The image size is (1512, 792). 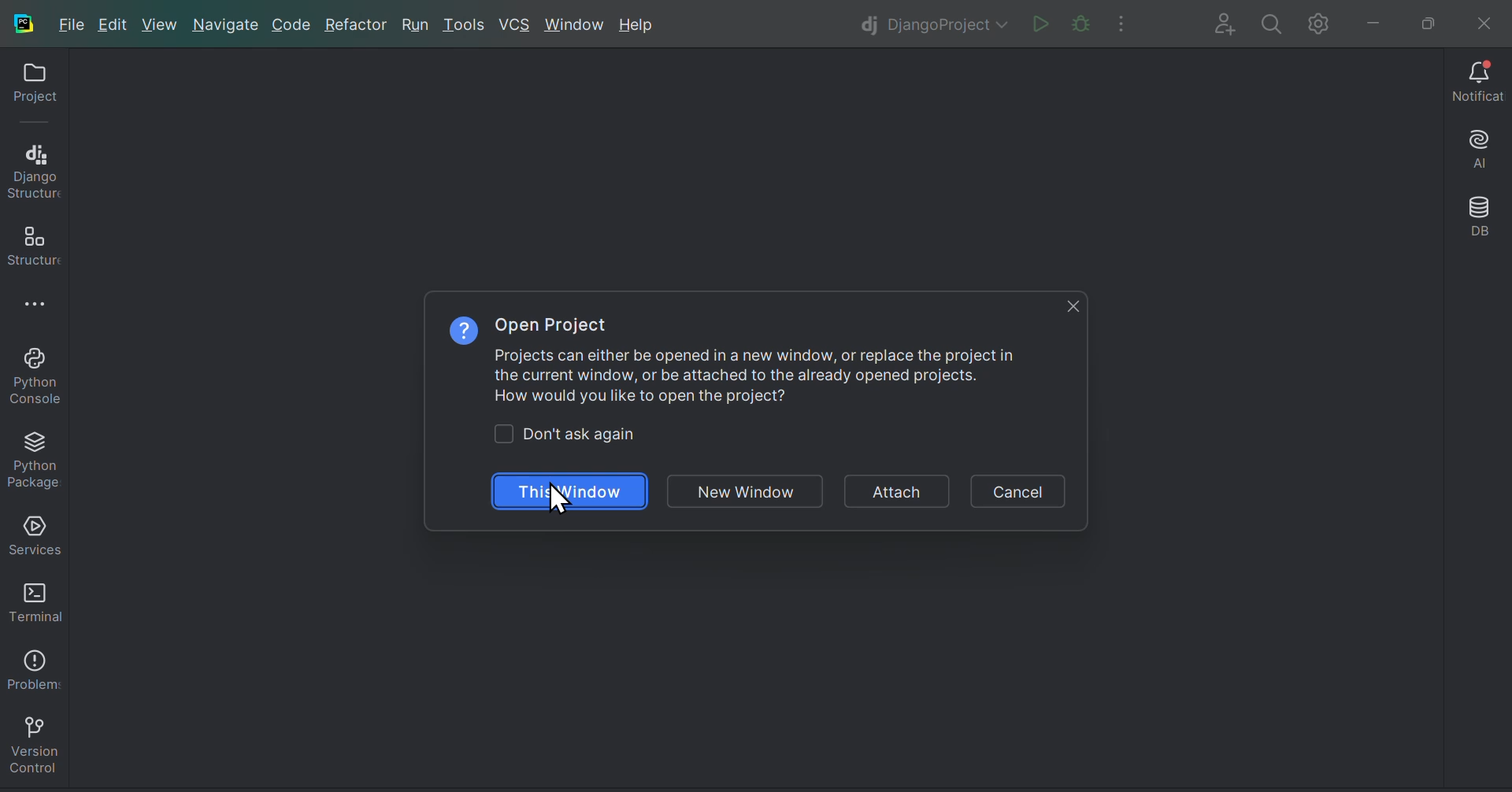 I want to click on Django project, so click(x=932, y=21).